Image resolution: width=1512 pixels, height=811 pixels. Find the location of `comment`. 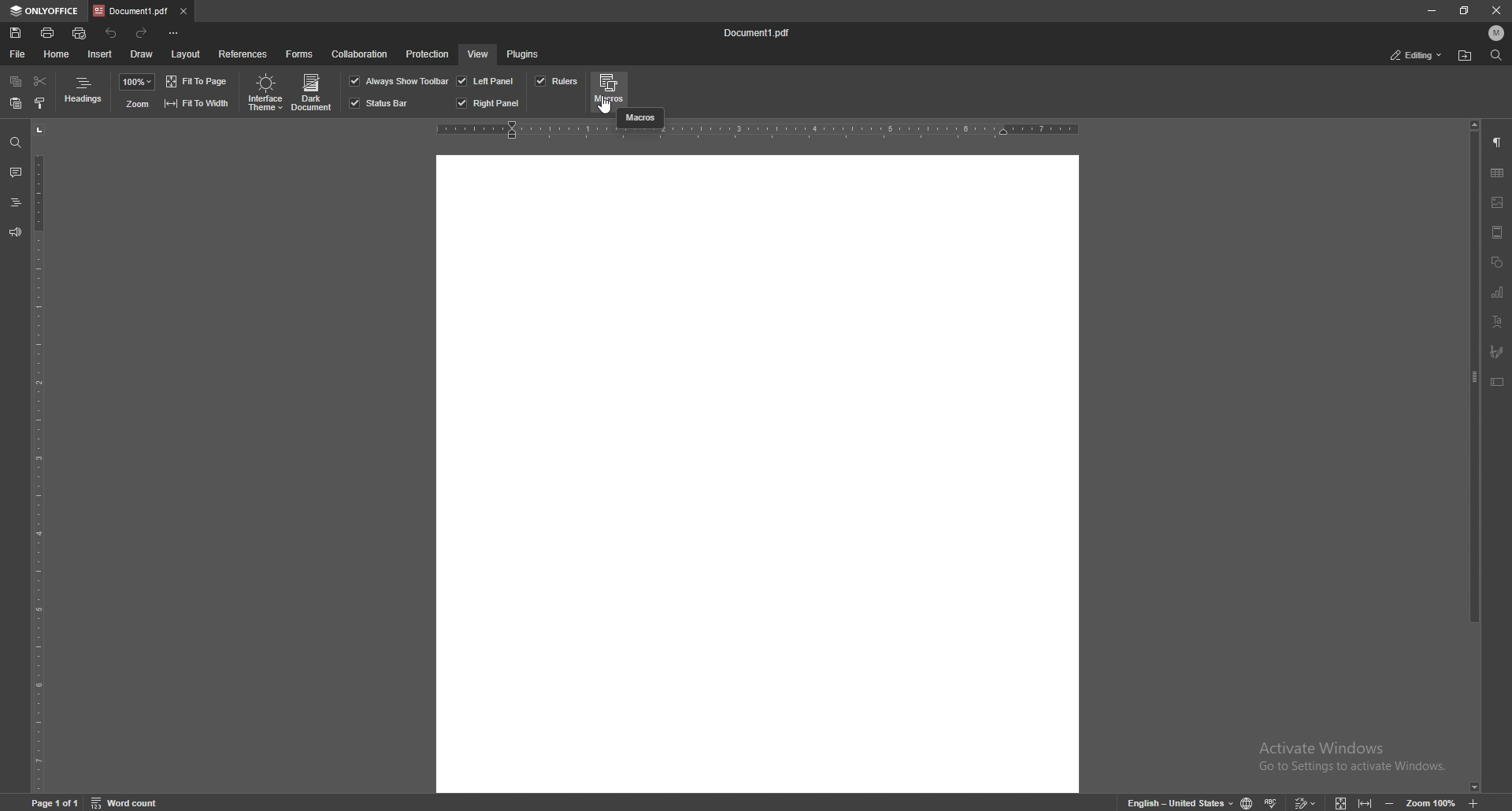

comment is located at coordinates (15, 172).